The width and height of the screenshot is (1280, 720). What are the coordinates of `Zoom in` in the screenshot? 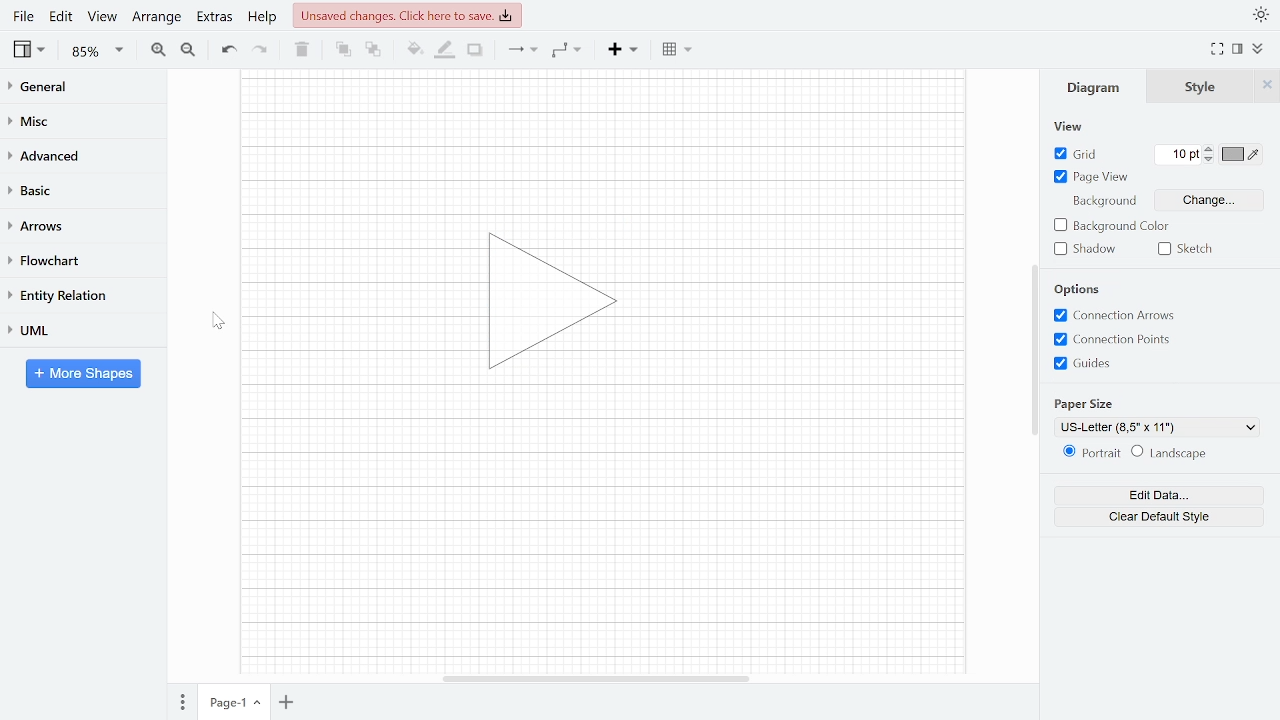 It's located at (158, 49).